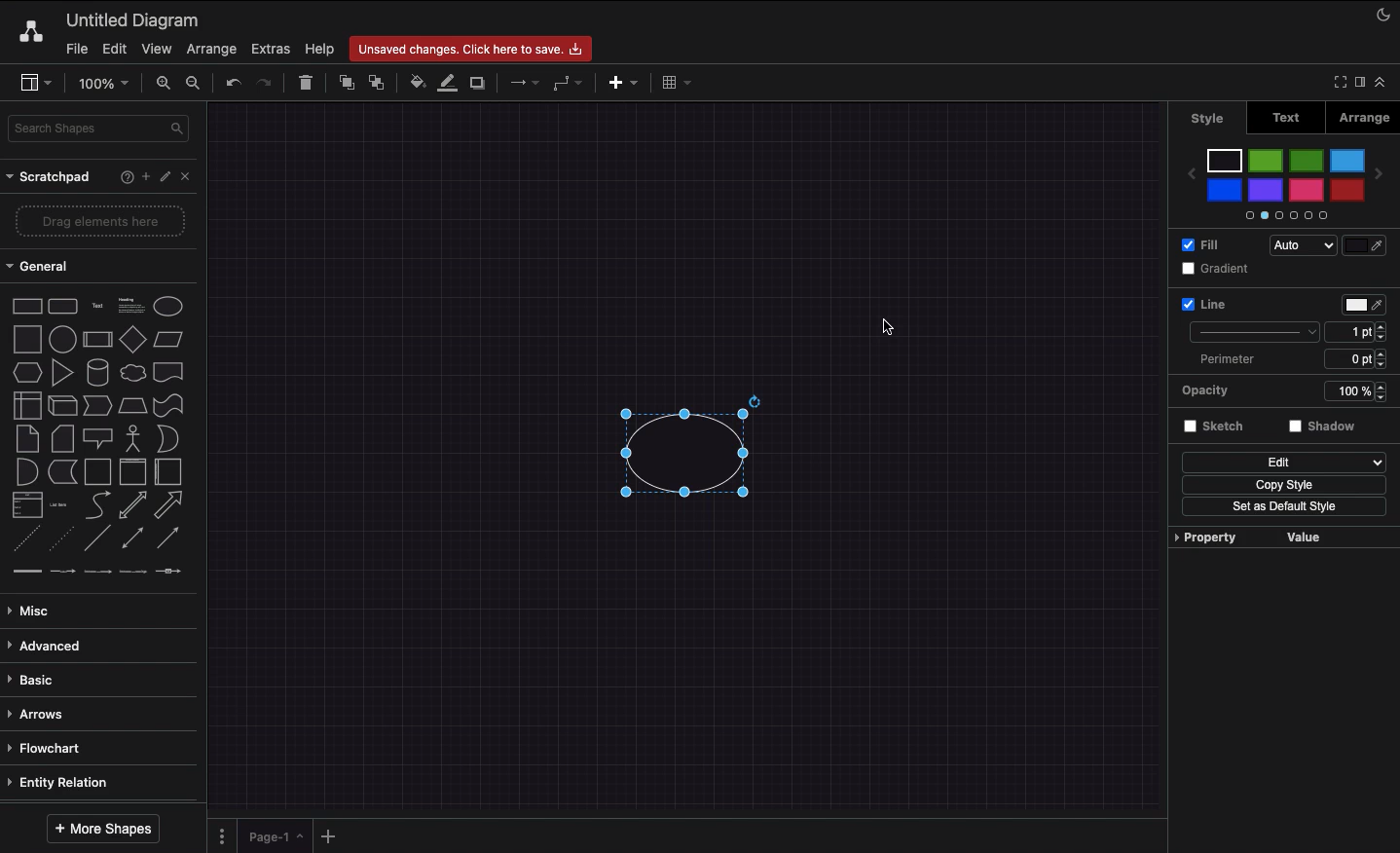  I want to click on stroke, so click(1251, 332).